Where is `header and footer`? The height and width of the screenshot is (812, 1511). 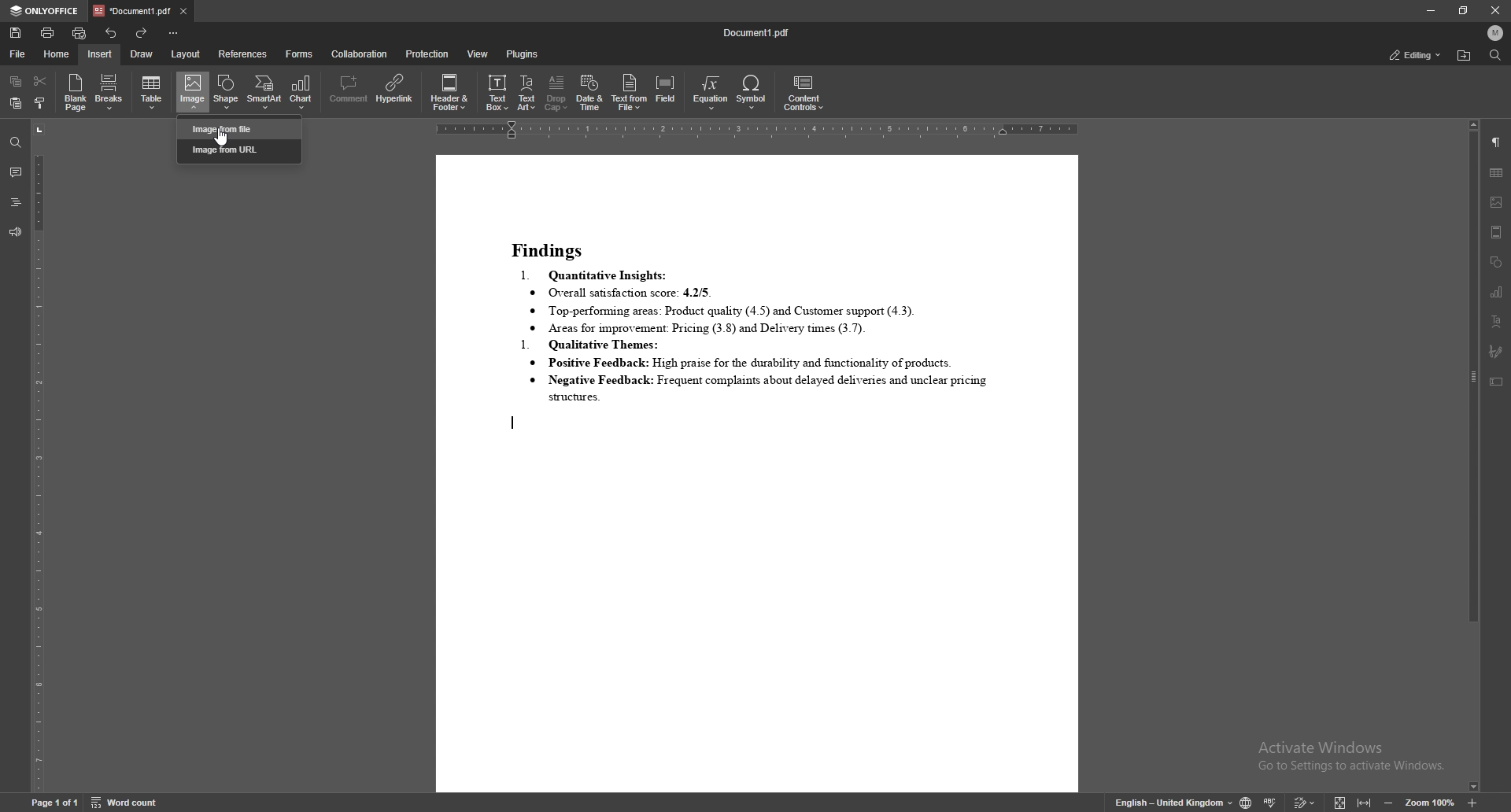 header and footer is located at coordinates (1497, 232).